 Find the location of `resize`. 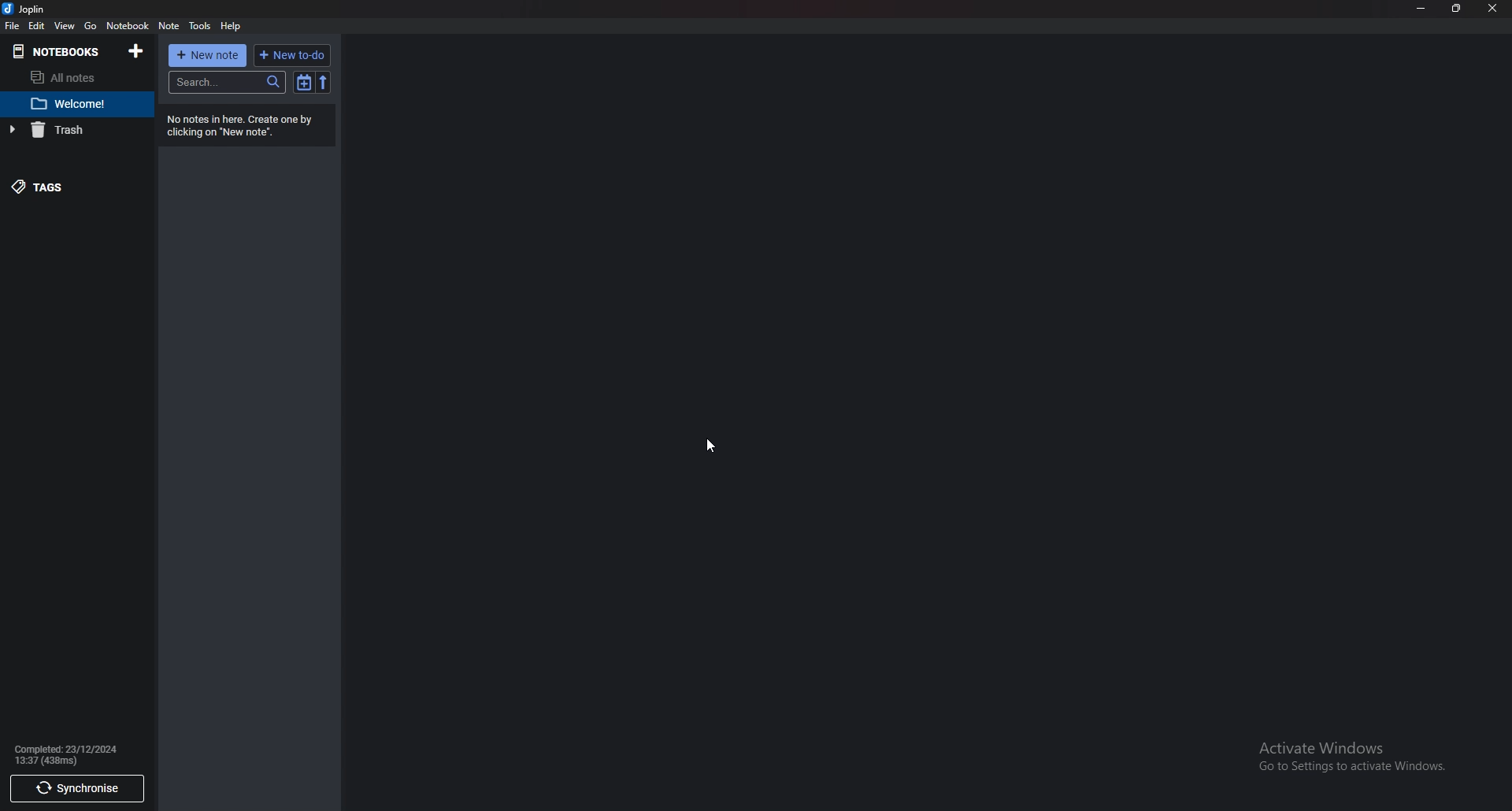

resize is located at coordinates (1456, 9).